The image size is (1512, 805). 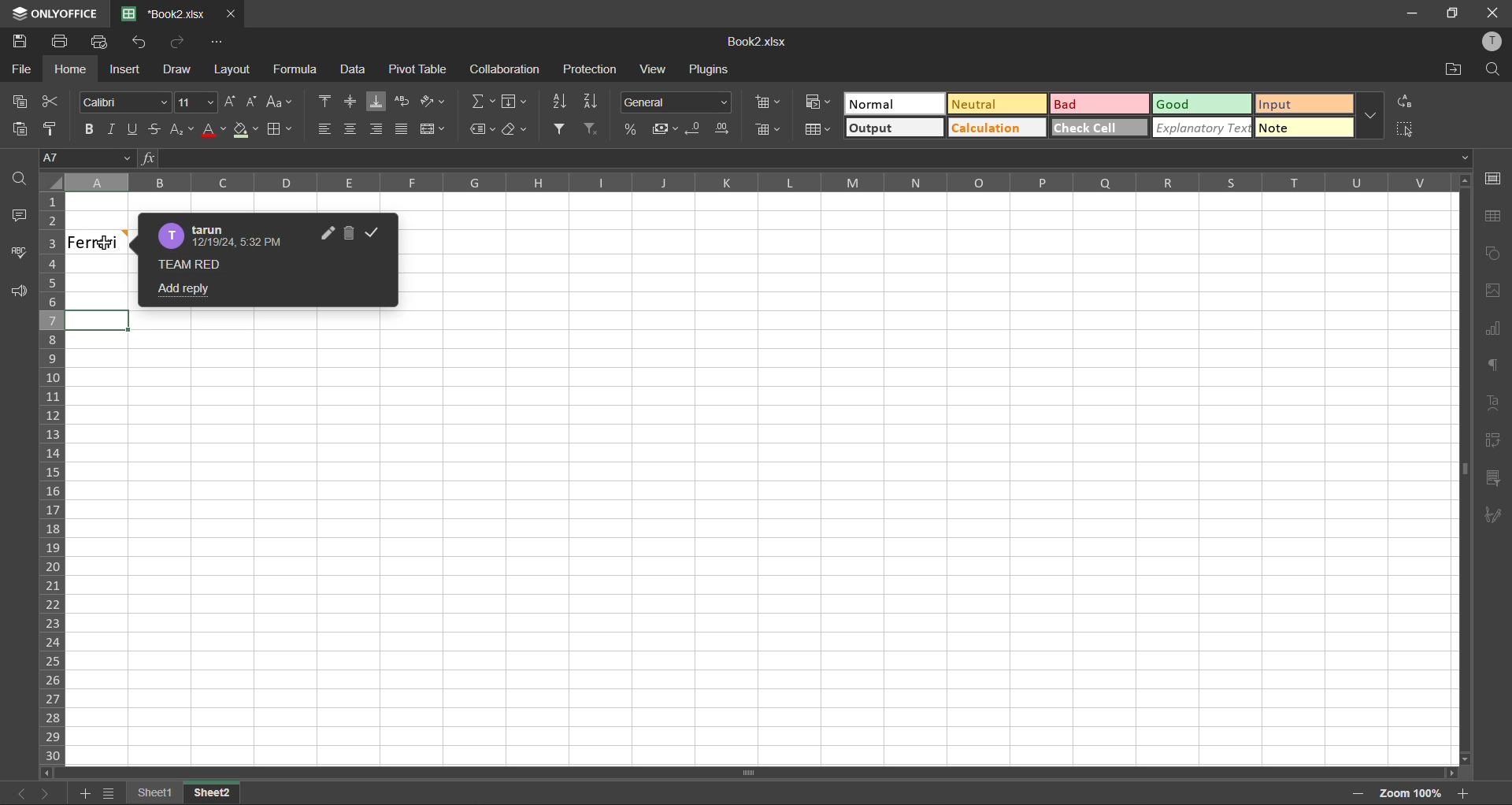 I want to click on borders, so click(x=280, y=131).